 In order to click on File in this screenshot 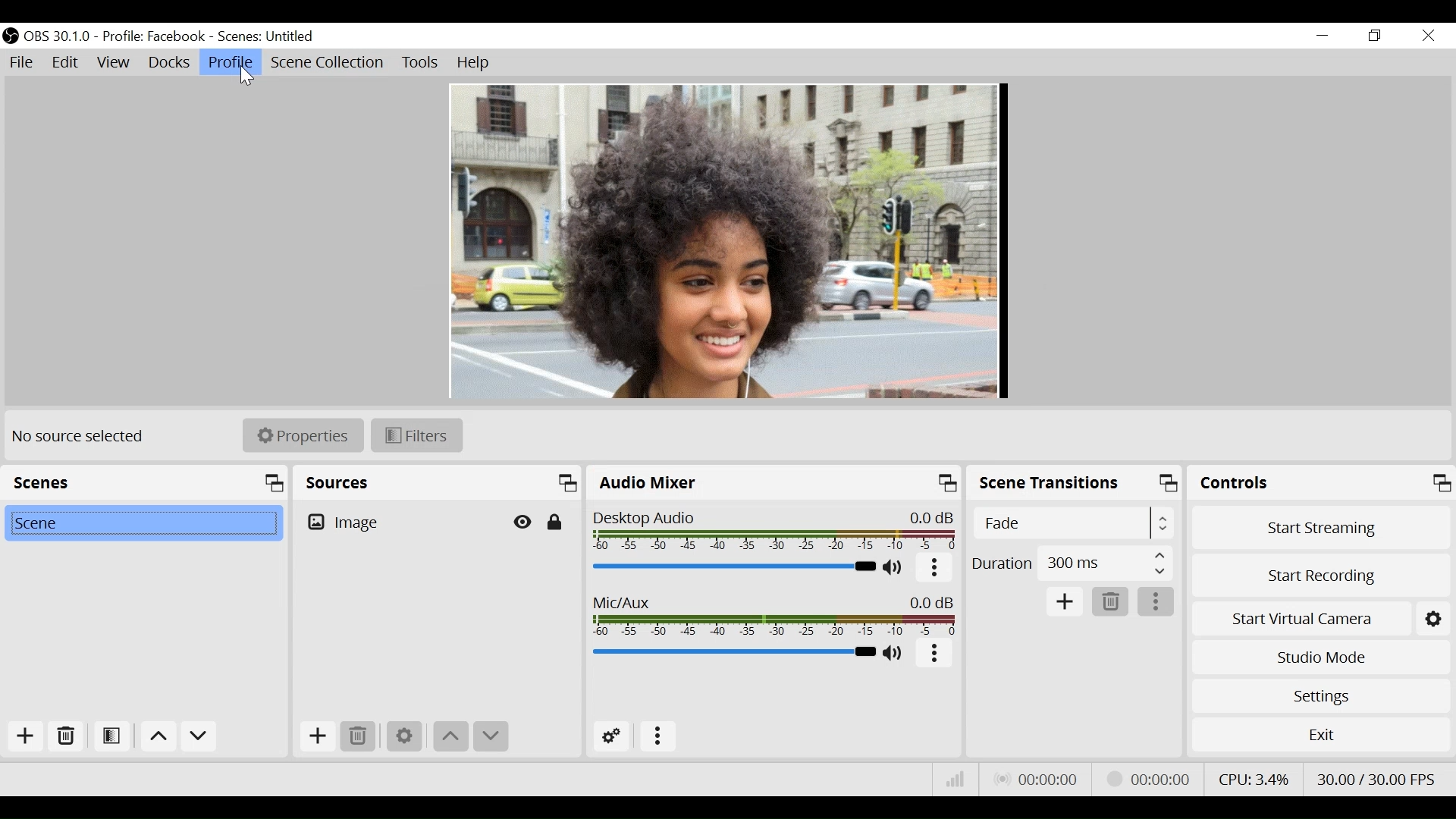, I will do `click(24, 63)`.